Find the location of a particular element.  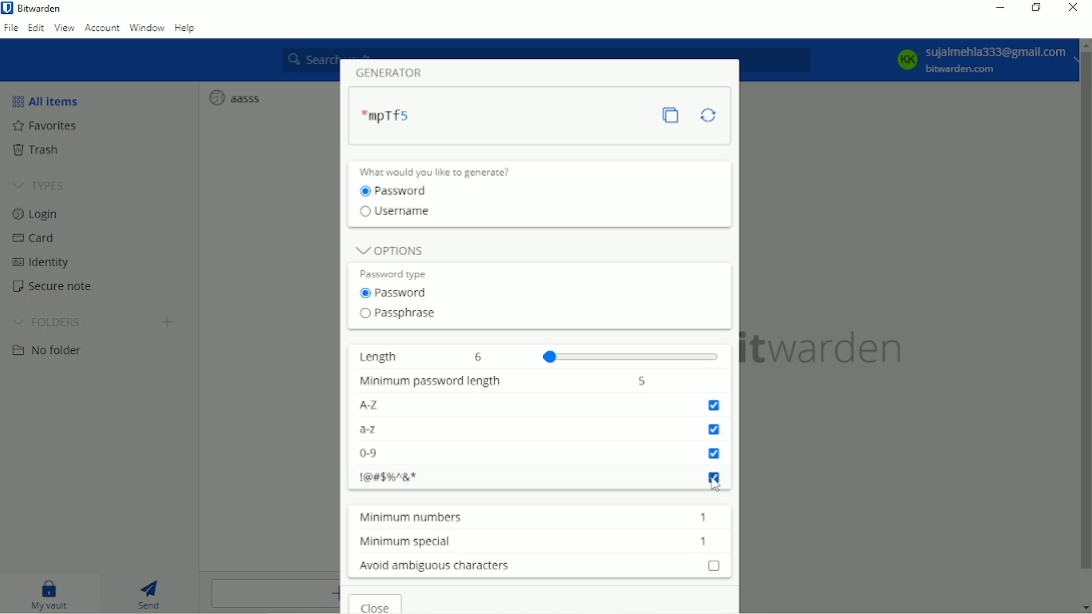

Close is located at coordinates (1075, 8).